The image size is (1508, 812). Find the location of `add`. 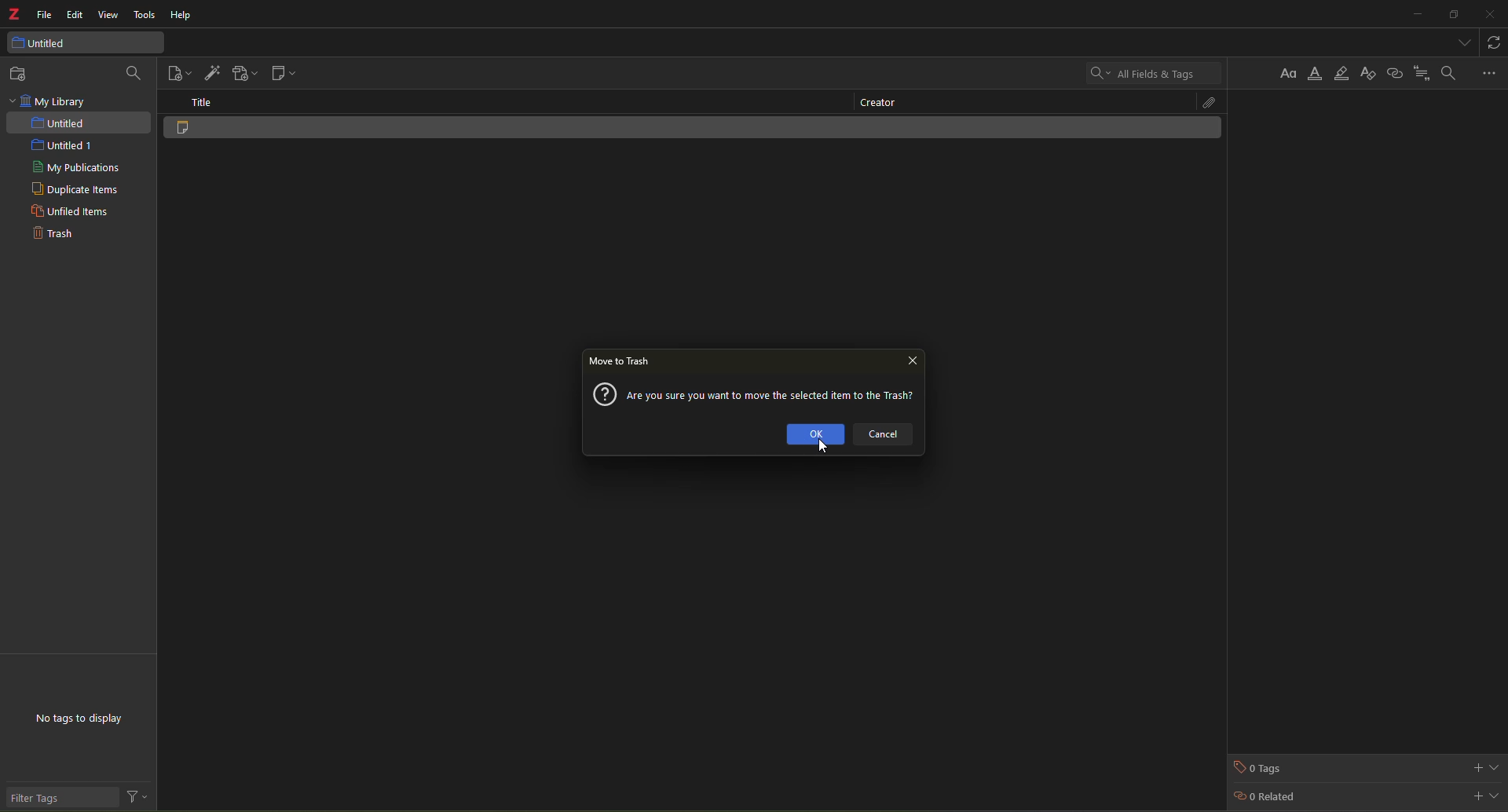

add is located at coordinates (1475, 795).